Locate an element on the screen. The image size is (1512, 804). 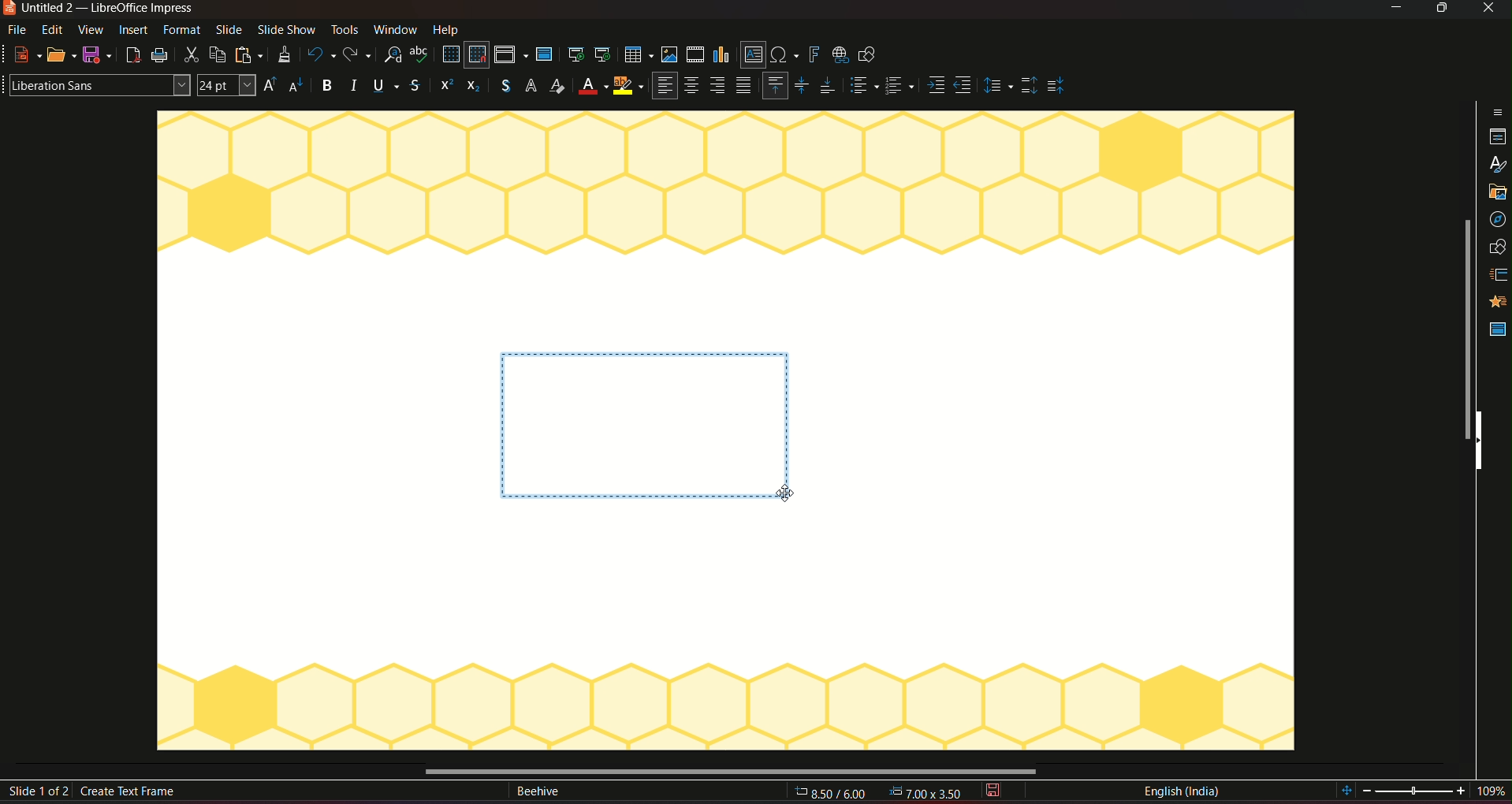
Paragraph style 2 is located at coordinates (902, 87).